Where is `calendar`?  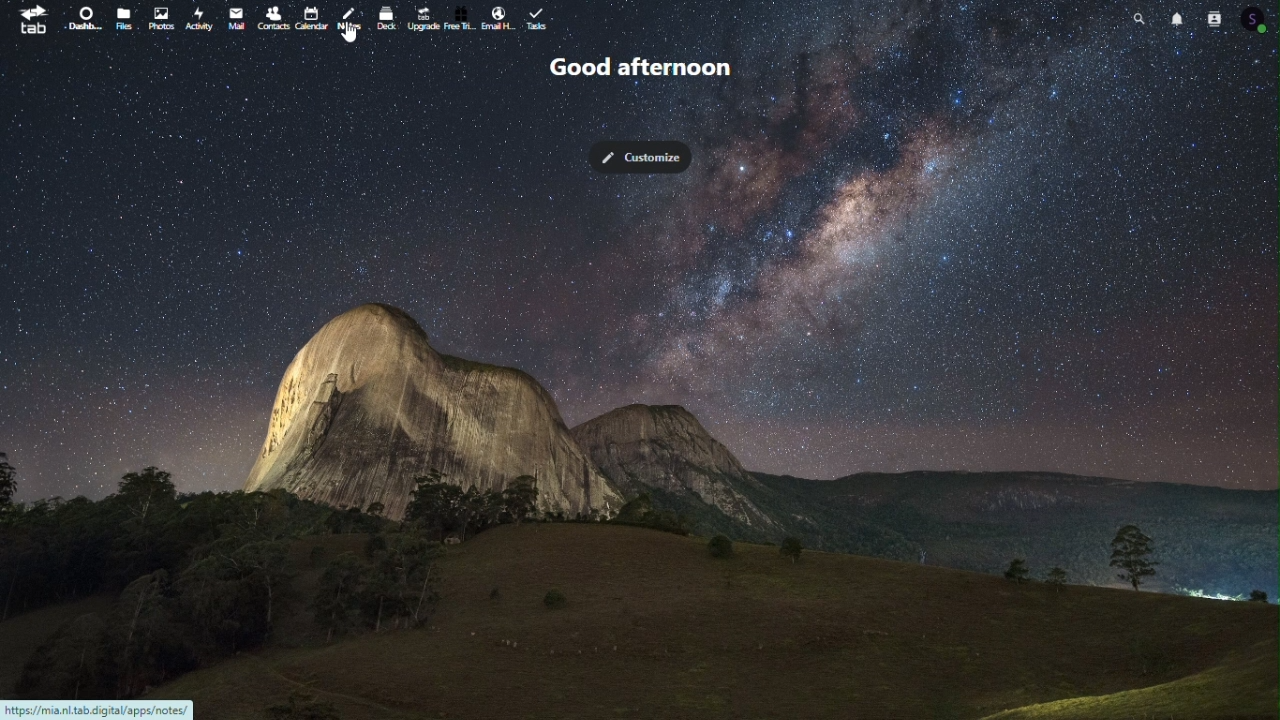
calendar is located at coordinates (310, 14).